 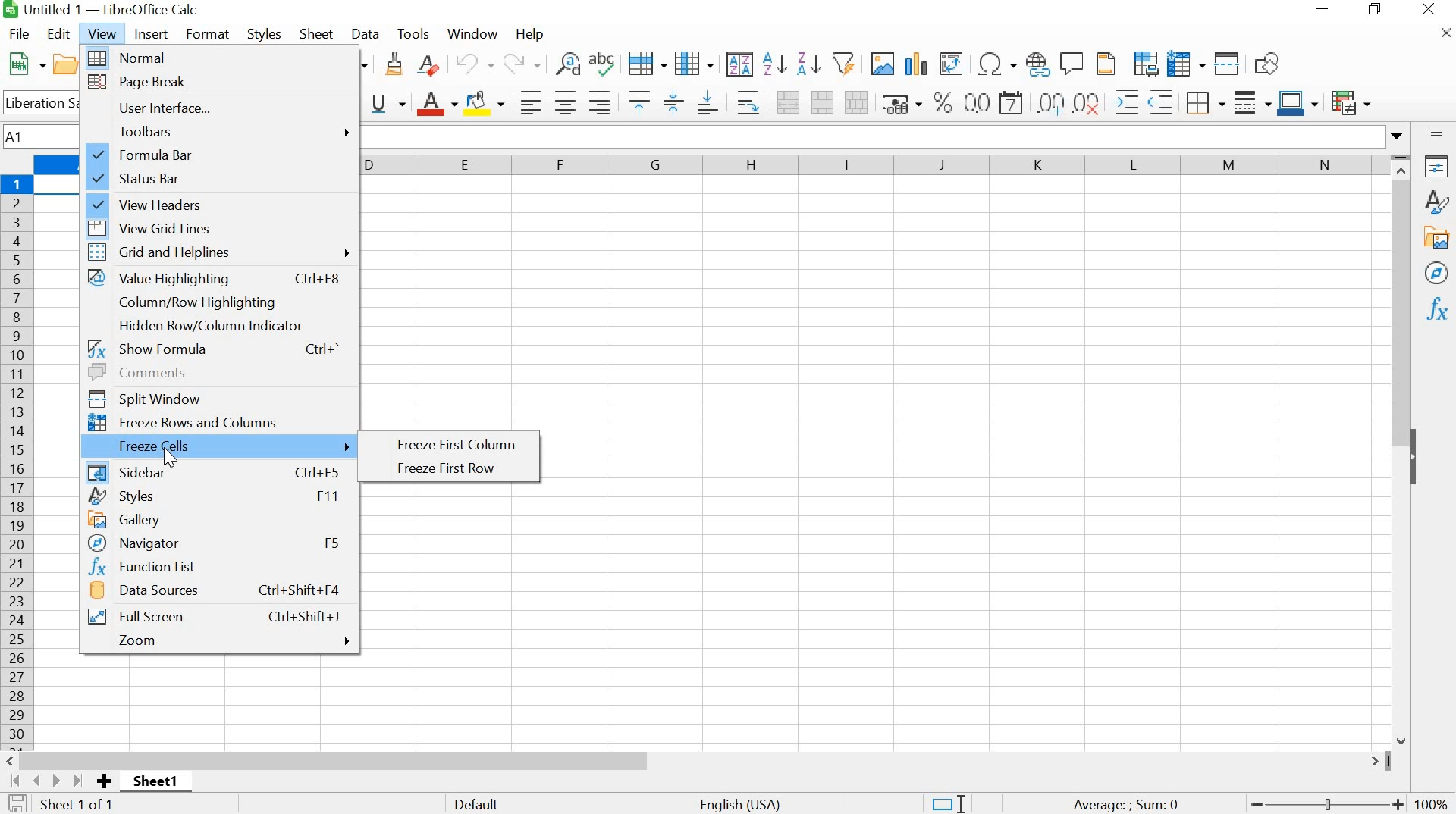 What do you see at coordinates (697, 760) in the screenshot?
I see `SCROLLBAR` at bounding box center [697, 760].